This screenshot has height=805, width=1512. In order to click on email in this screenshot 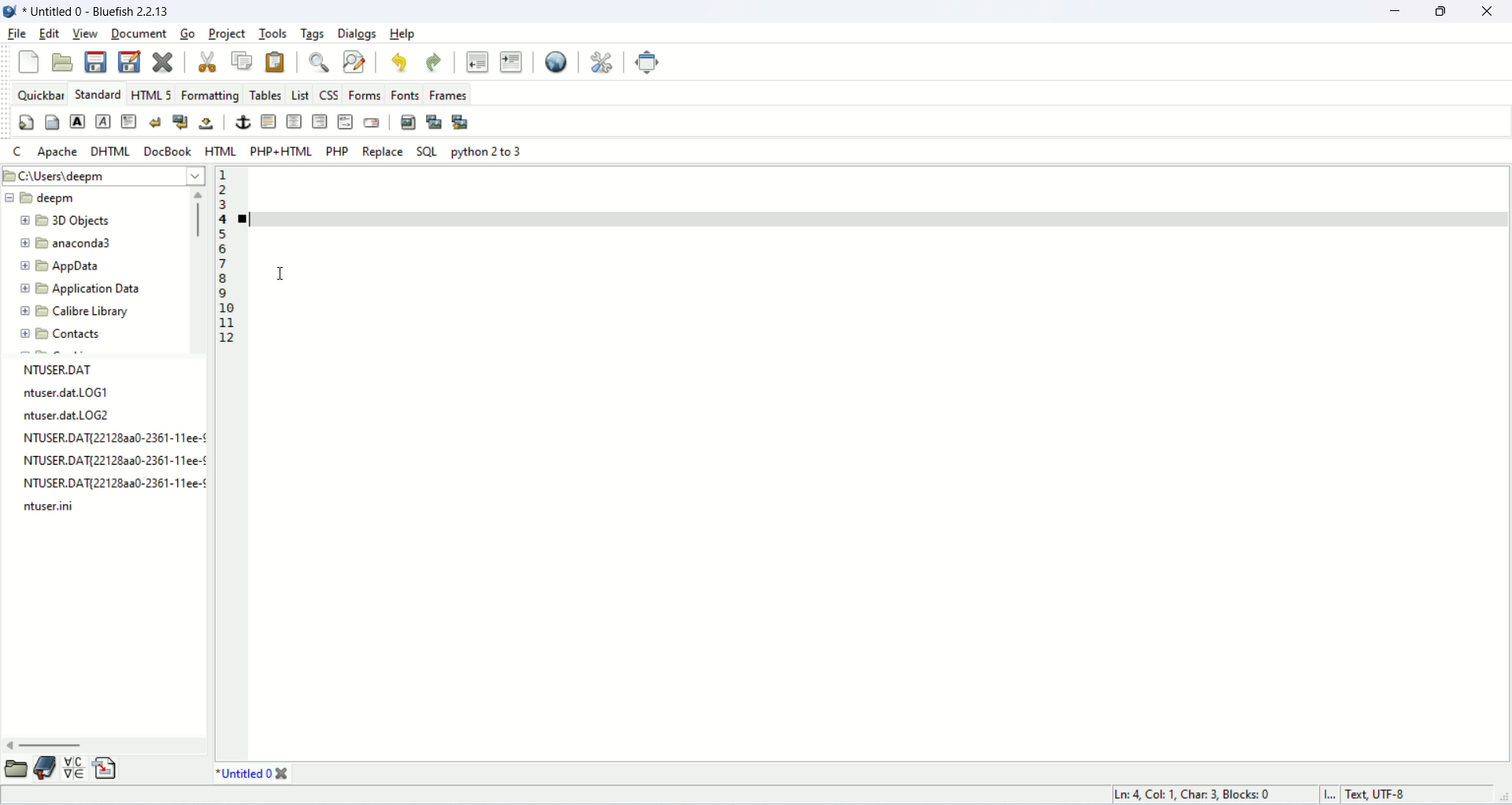, I will do `click(372, 123)`.